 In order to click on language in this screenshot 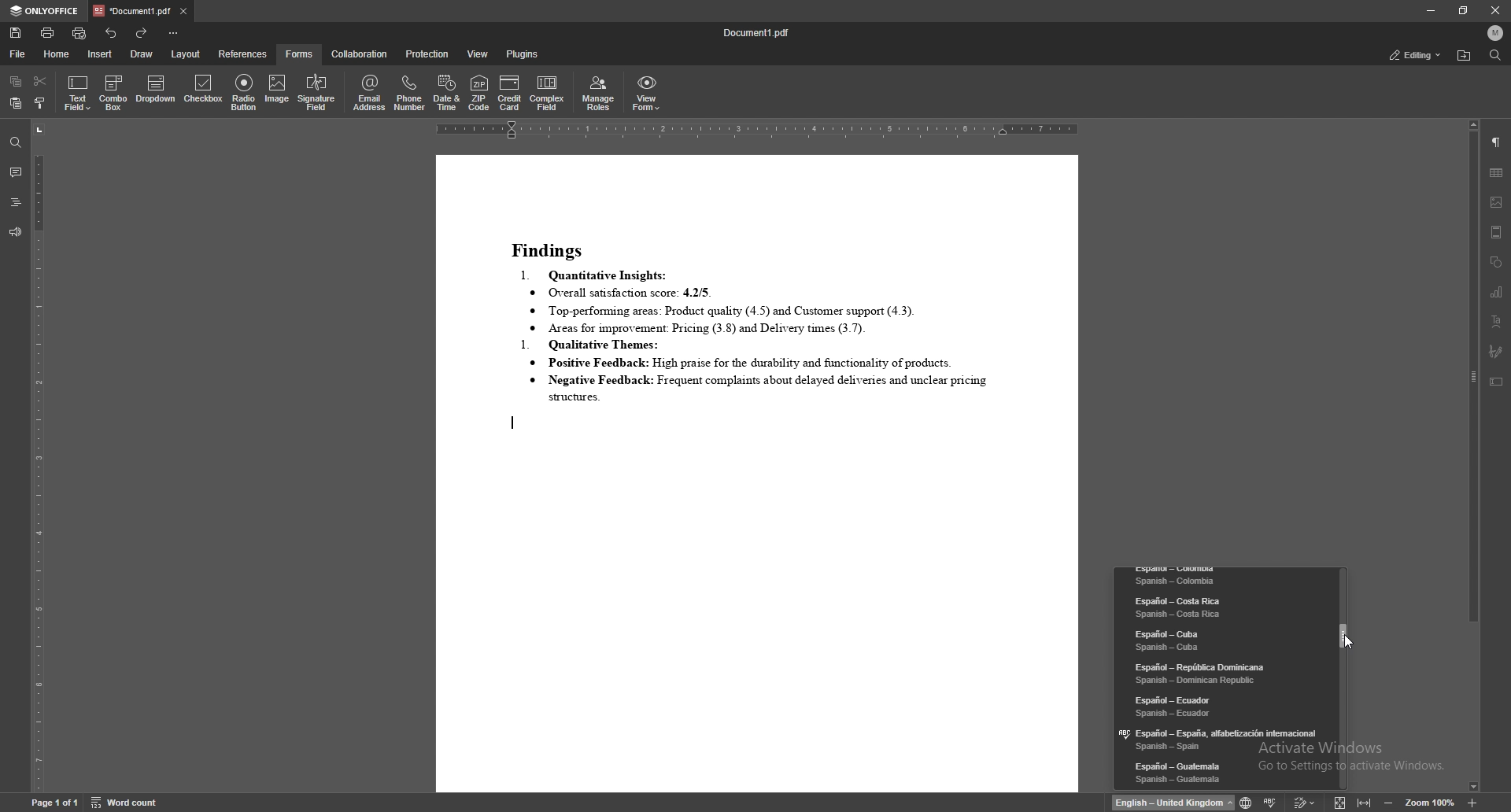, I will do `click(1223, 578)`.